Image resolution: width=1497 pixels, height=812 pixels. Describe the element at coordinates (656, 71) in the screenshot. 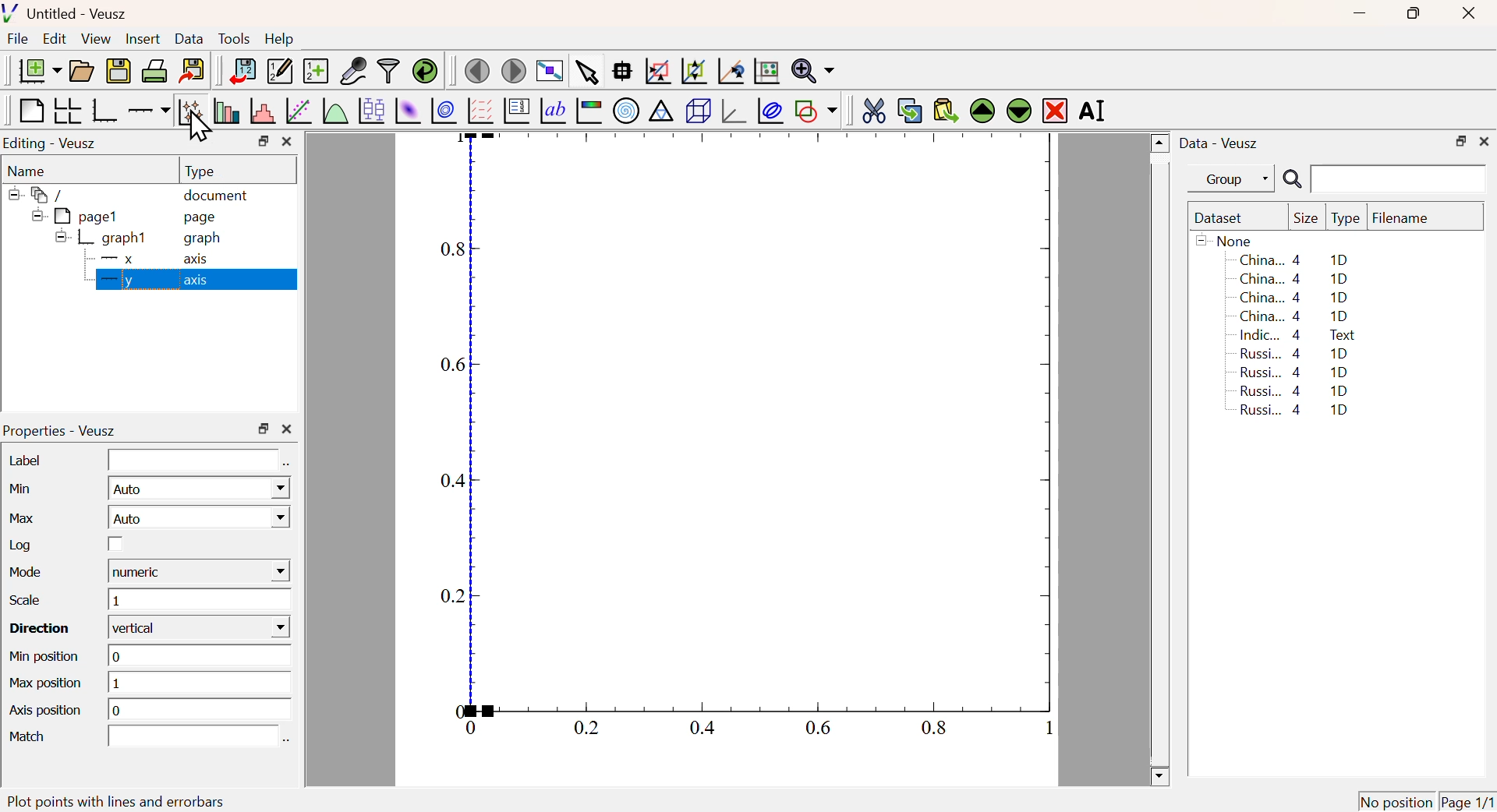

I see `Draw rectangle to zoom graph axis` at that location.